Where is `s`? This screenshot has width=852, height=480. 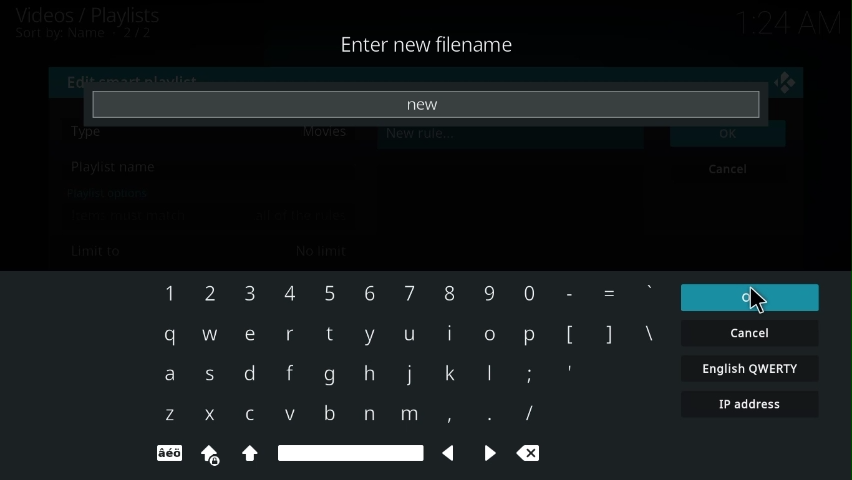
s is located at coordinates (207, 376).